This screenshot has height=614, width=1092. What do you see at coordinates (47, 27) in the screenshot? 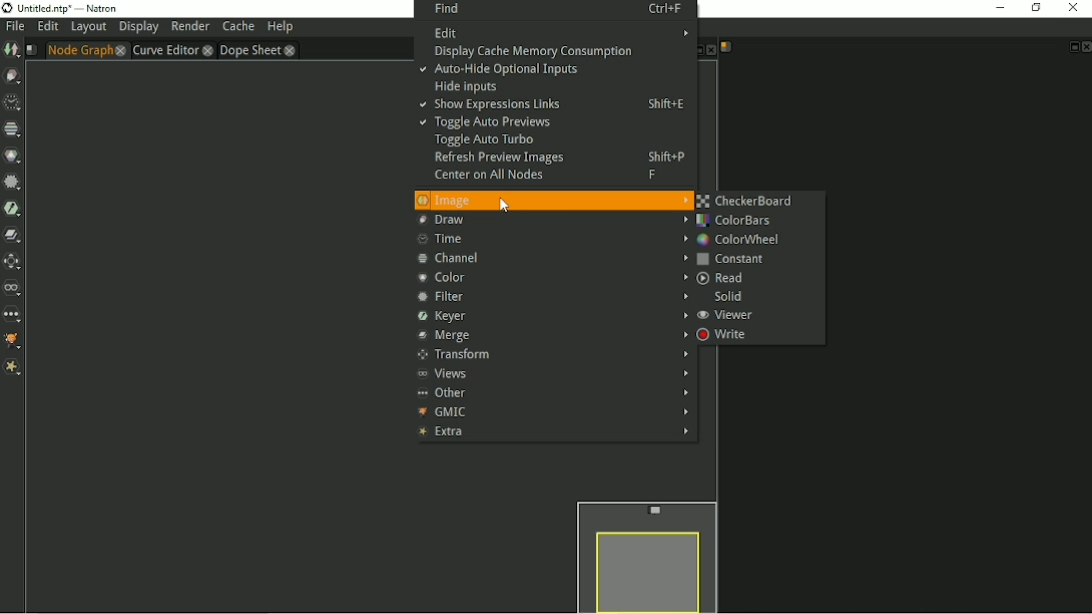
I see `Edit` at bounding box center [47, 27].